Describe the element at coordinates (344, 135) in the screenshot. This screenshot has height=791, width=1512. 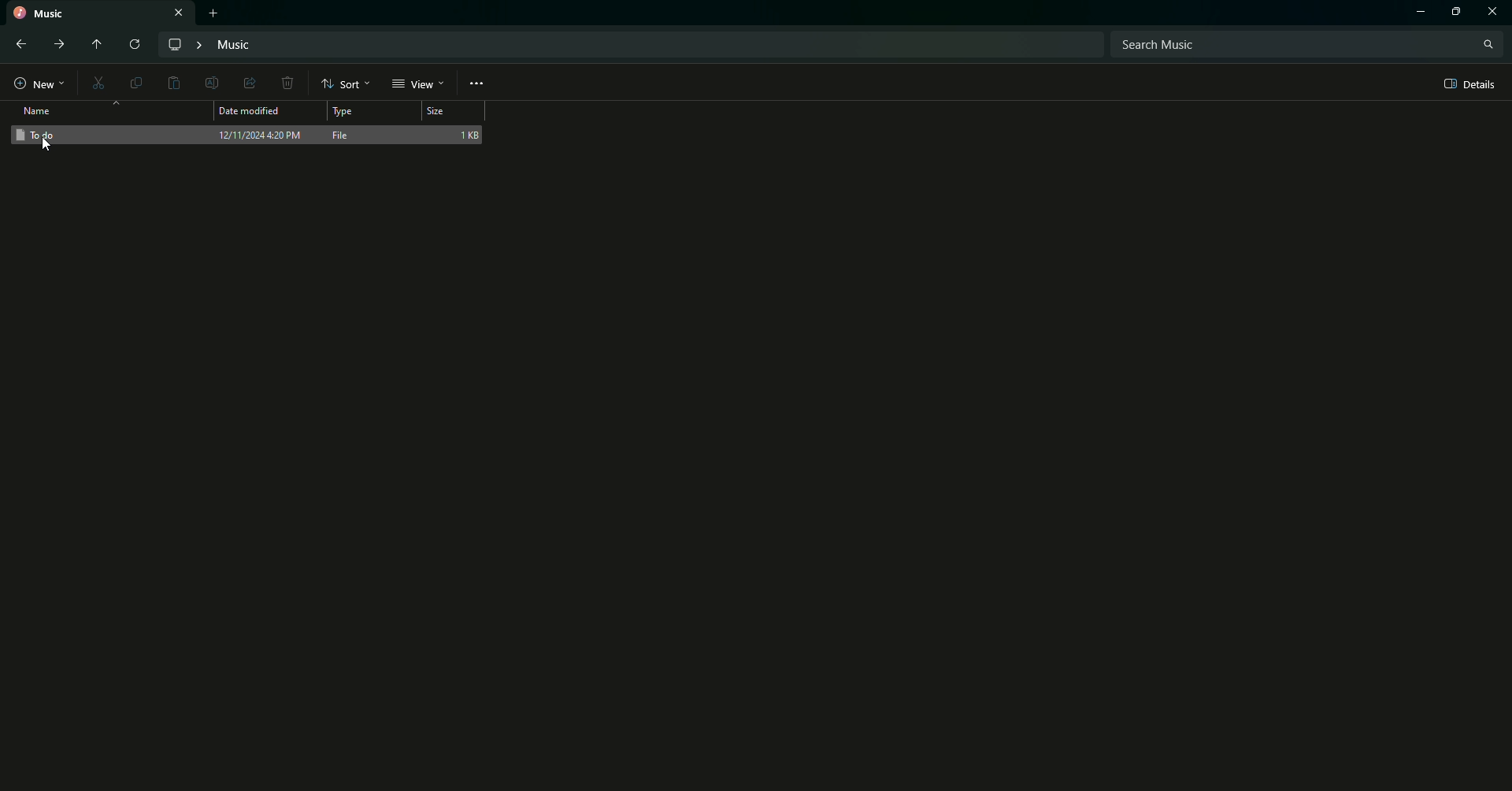
I see `File` at that location.